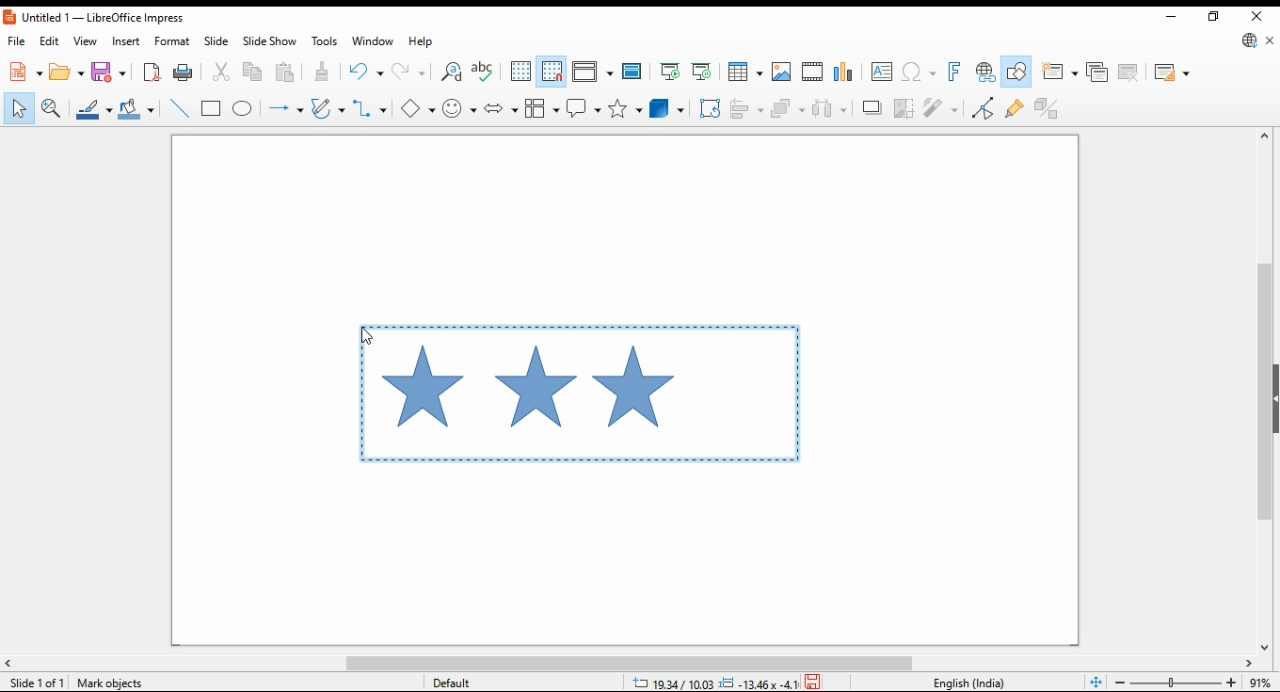 This screenshot has height=692, width=1280. Describe the element at coordinates (484, 73) in the screenshot. I see `check spelling` at that location.